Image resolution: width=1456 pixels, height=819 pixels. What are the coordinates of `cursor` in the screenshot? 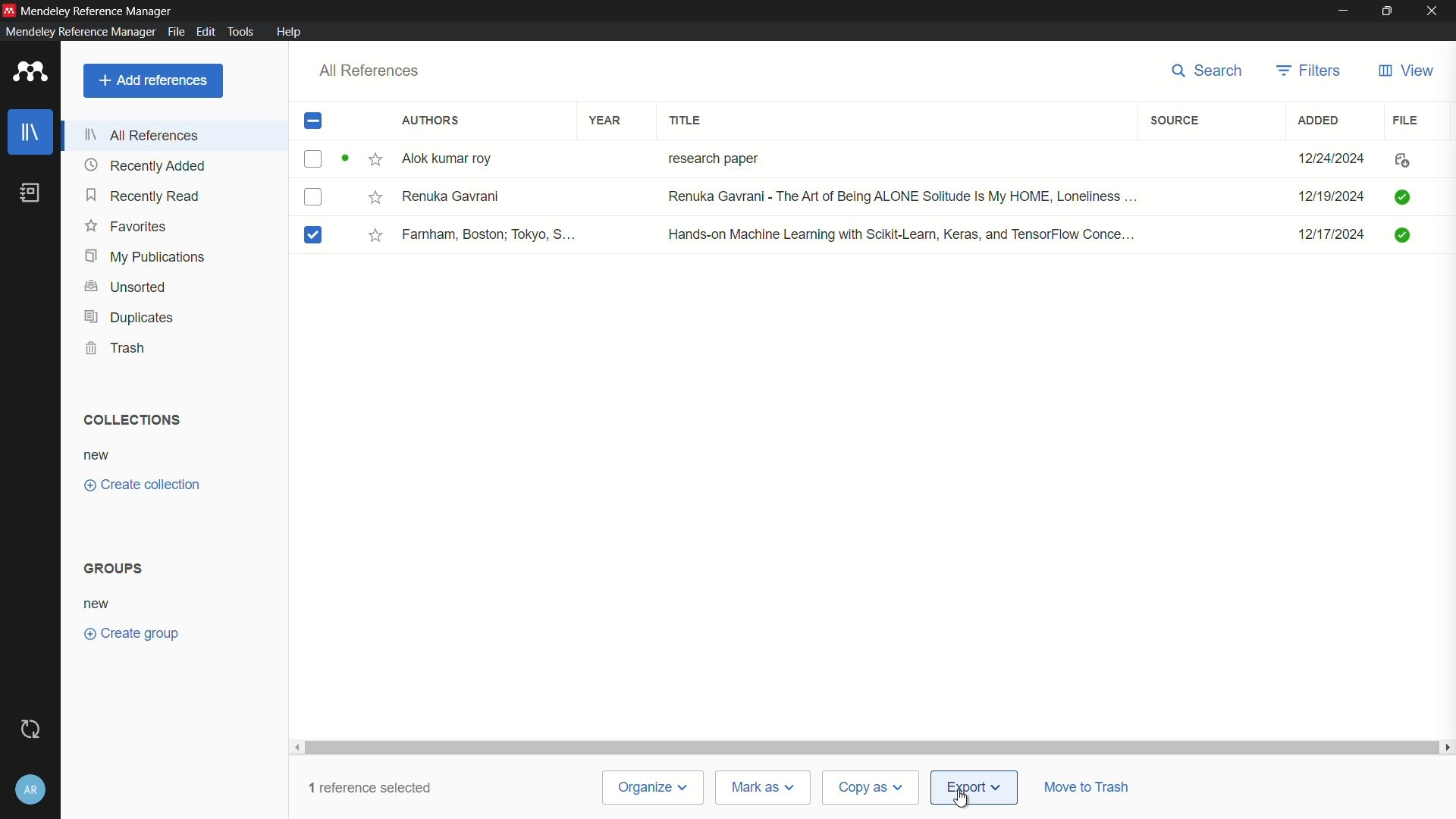 It's located at (963, 799).